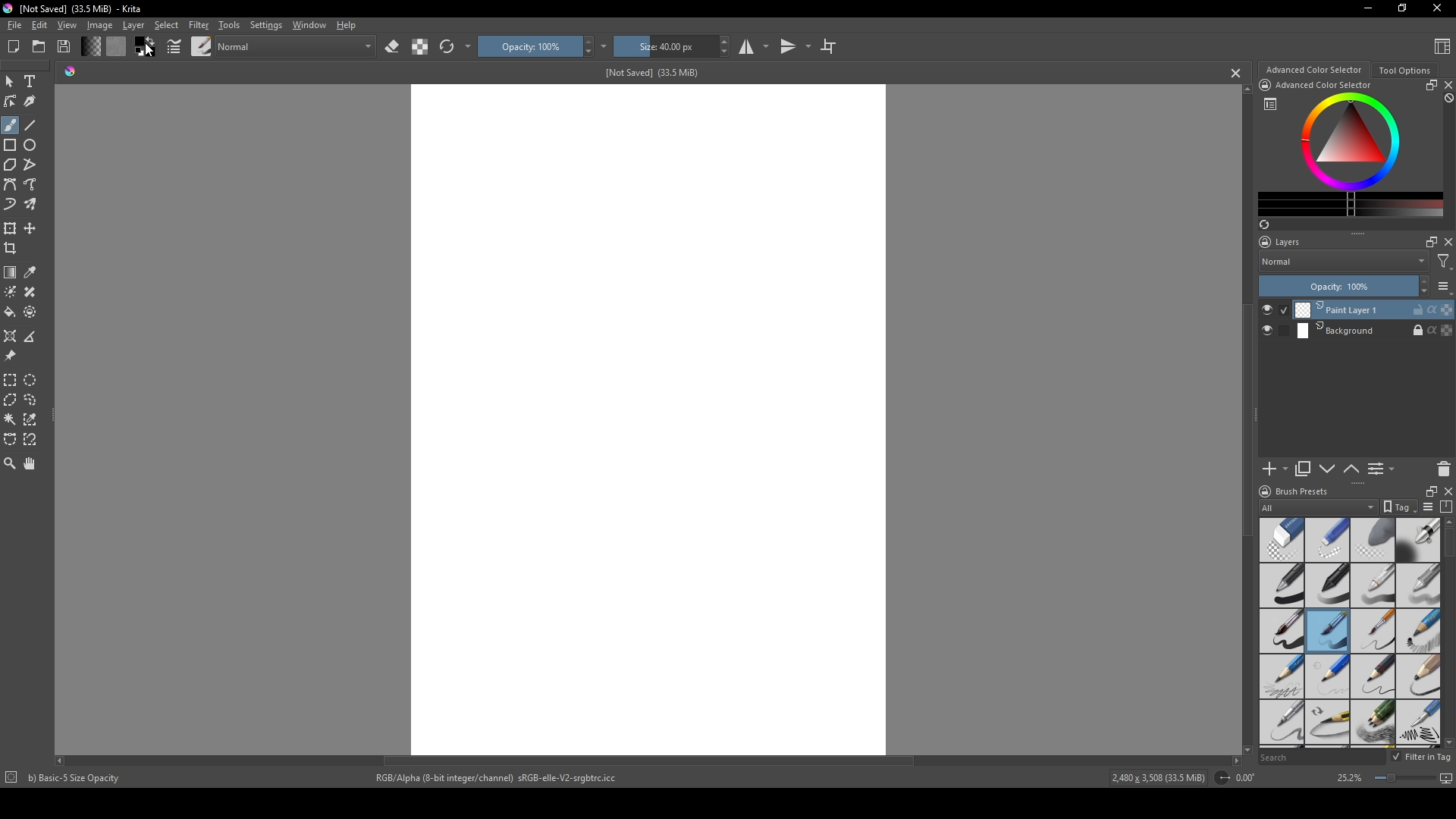 This screenshot has height=819, width=1456. What do you see at coordinates (1313, 70) in the screenshot?
I see `Advanced color selector` at bounding box center [1313, 70].